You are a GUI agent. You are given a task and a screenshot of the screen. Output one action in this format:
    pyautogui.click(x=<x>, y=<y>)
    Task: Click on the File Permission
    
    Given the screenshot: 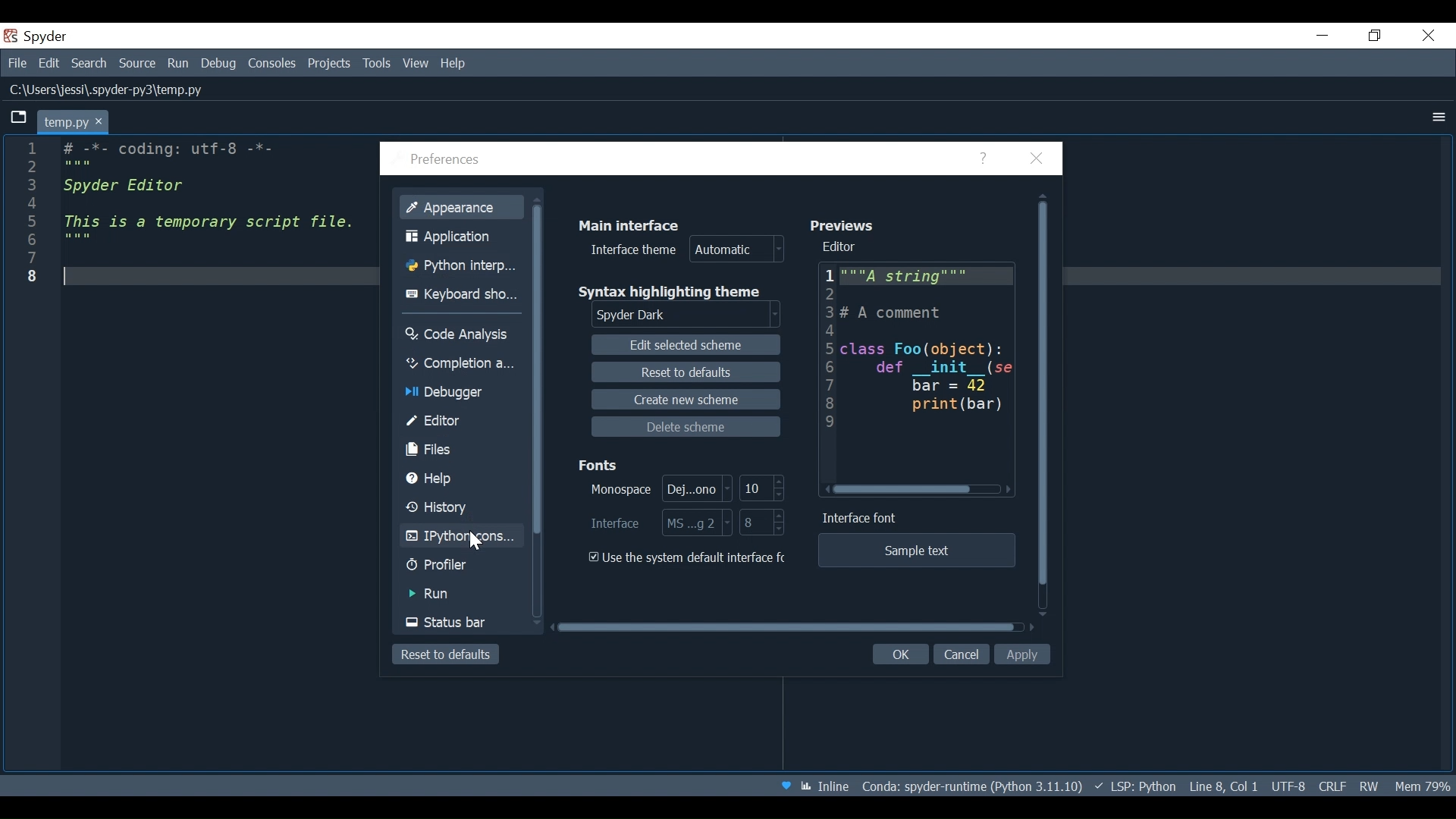 What is the action you would take?
    pyautogui.click(x=1370, y=786)
    